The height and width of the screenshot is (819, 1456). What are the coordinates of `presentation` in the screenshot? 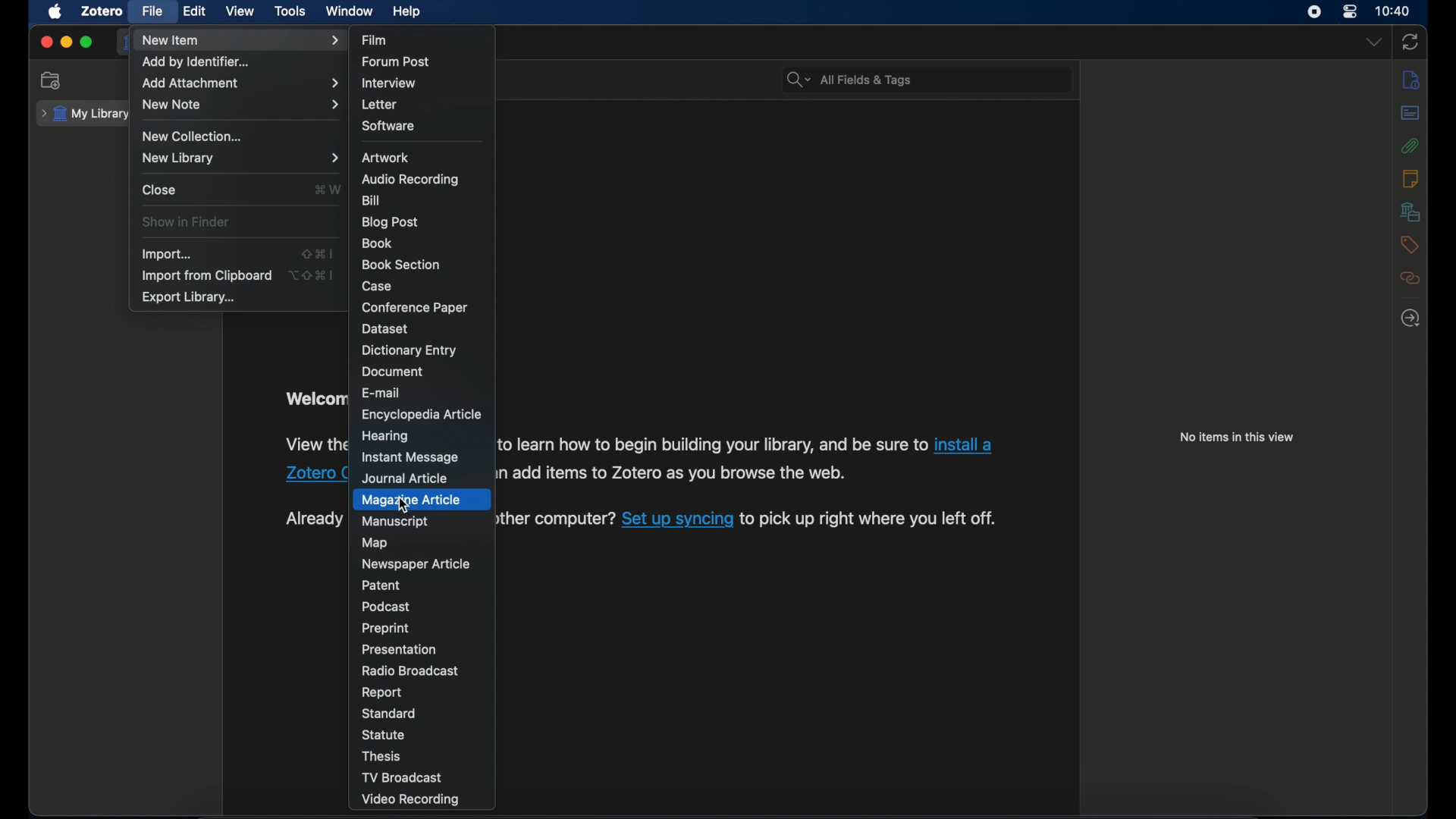 It's located at (401, 649).